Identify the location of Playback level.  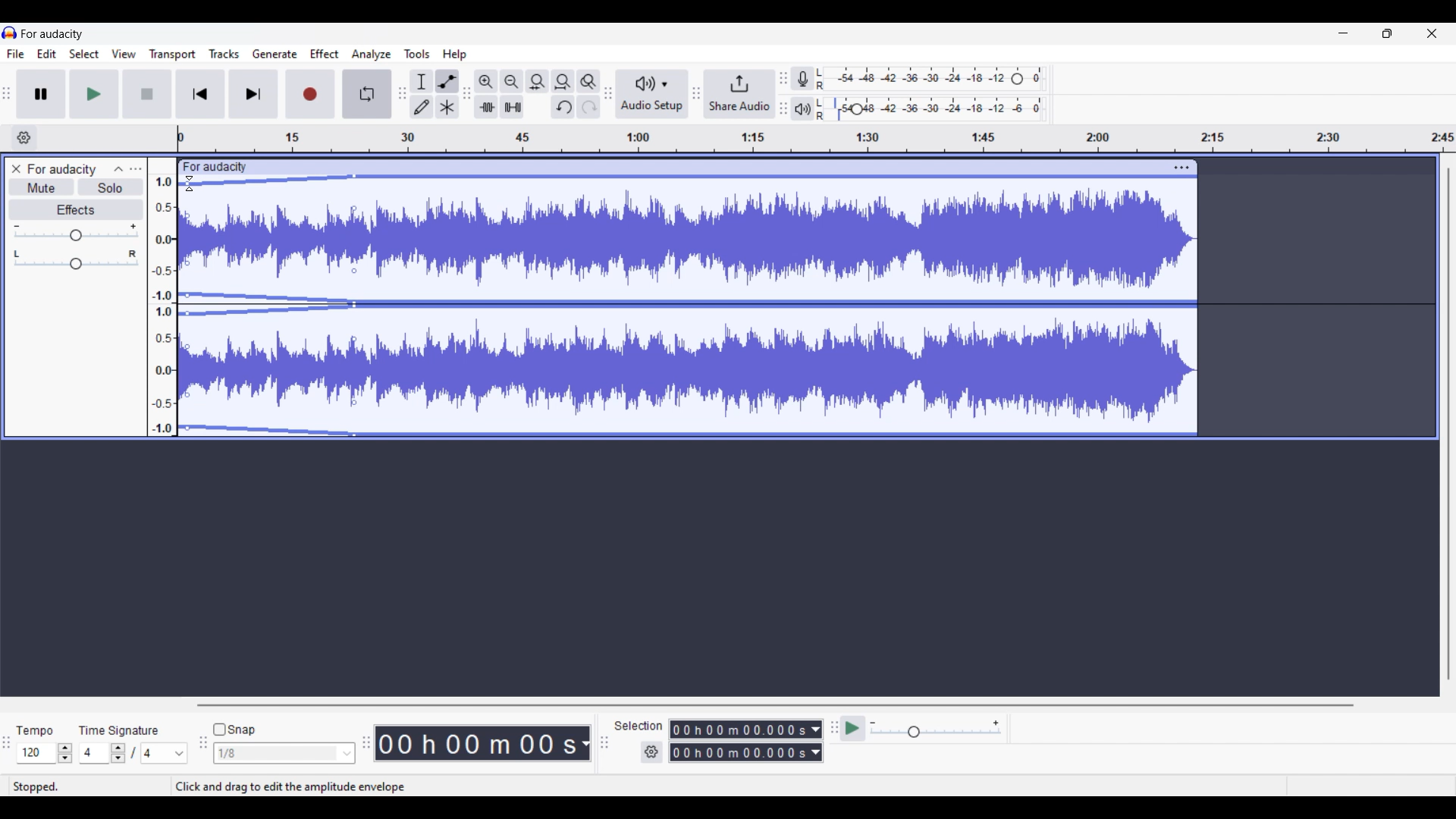
(930, 108).